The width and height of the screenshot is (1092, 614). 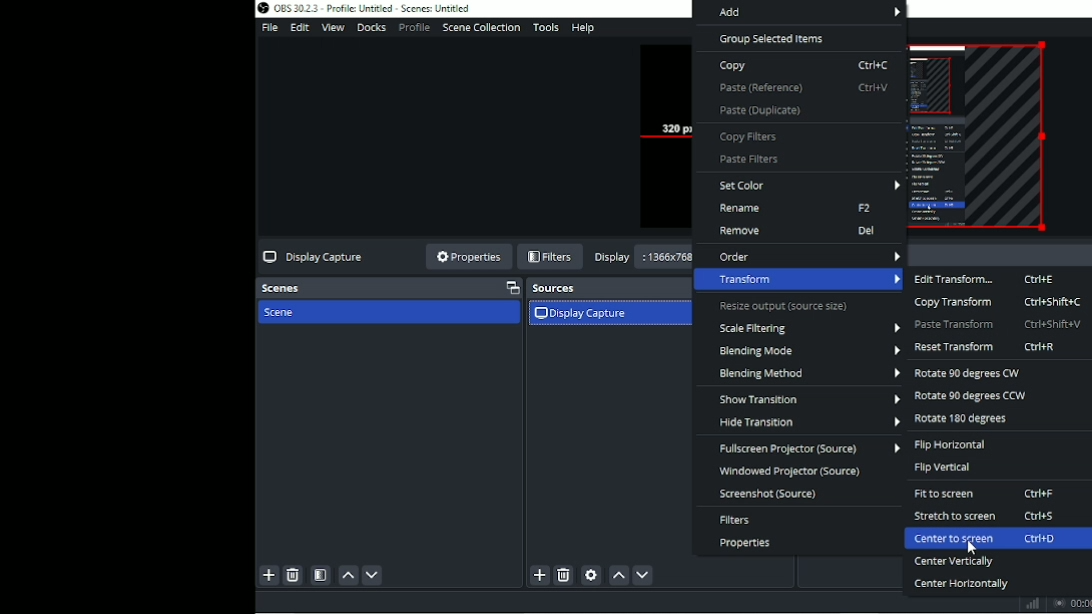 I want to click on Paste (Reference), so click(x=801, y=89).